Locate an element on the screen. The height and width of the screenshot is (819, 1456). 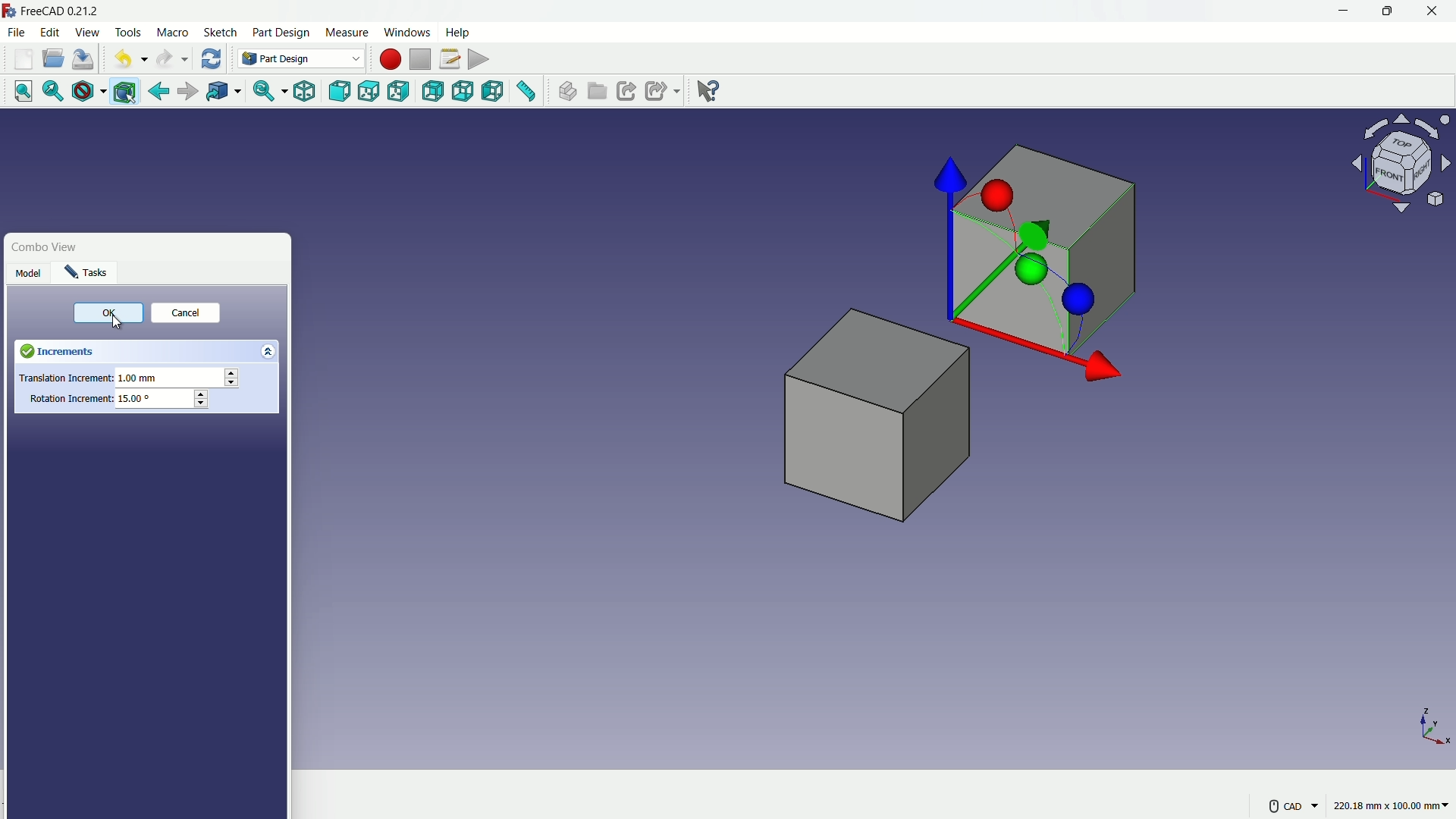
redo is located at coordinates (172, 59).